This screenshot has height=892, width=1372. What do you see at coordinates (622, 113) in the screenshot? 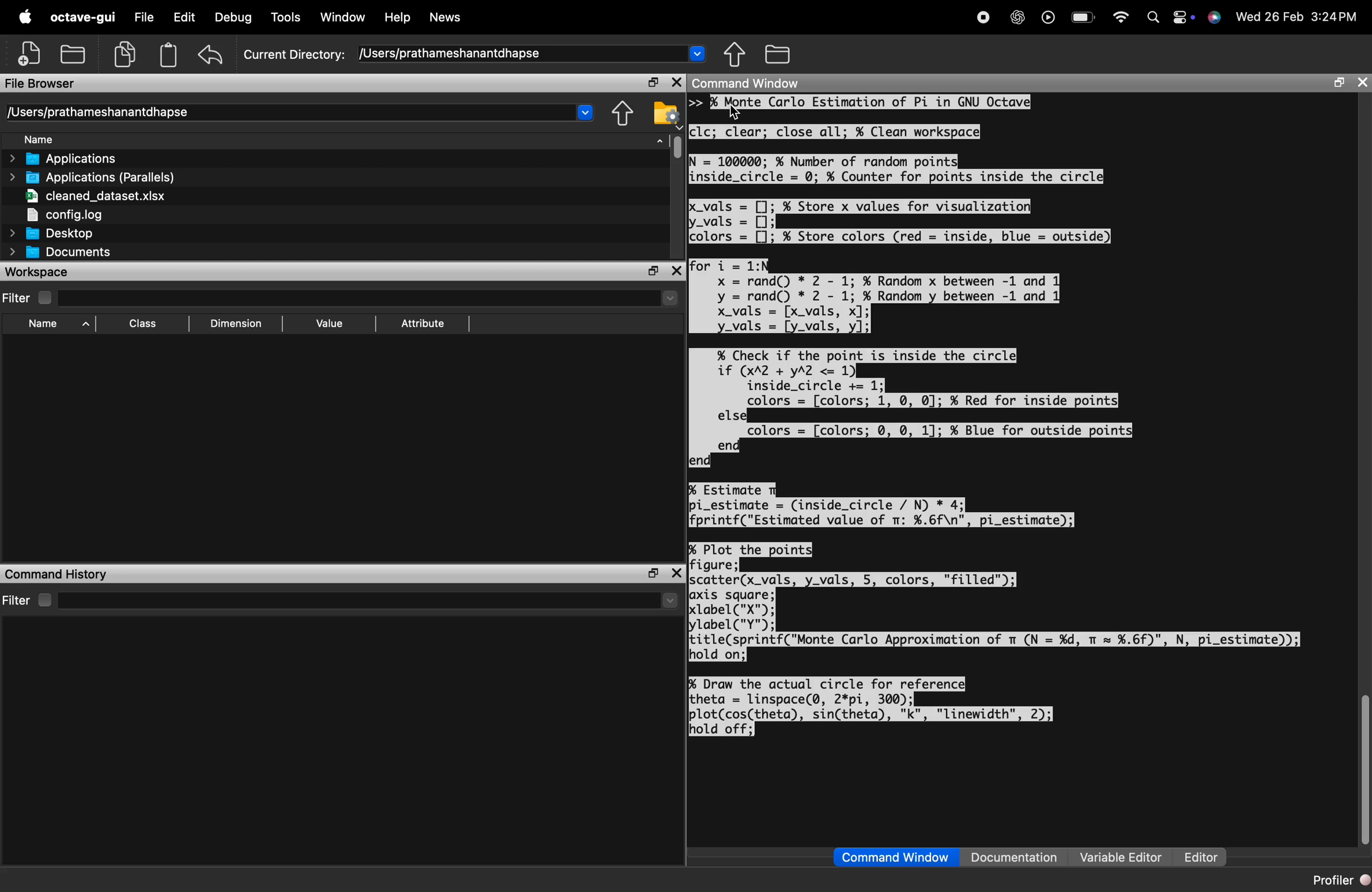
I see `one directory up` at bounding box center [622, 113].